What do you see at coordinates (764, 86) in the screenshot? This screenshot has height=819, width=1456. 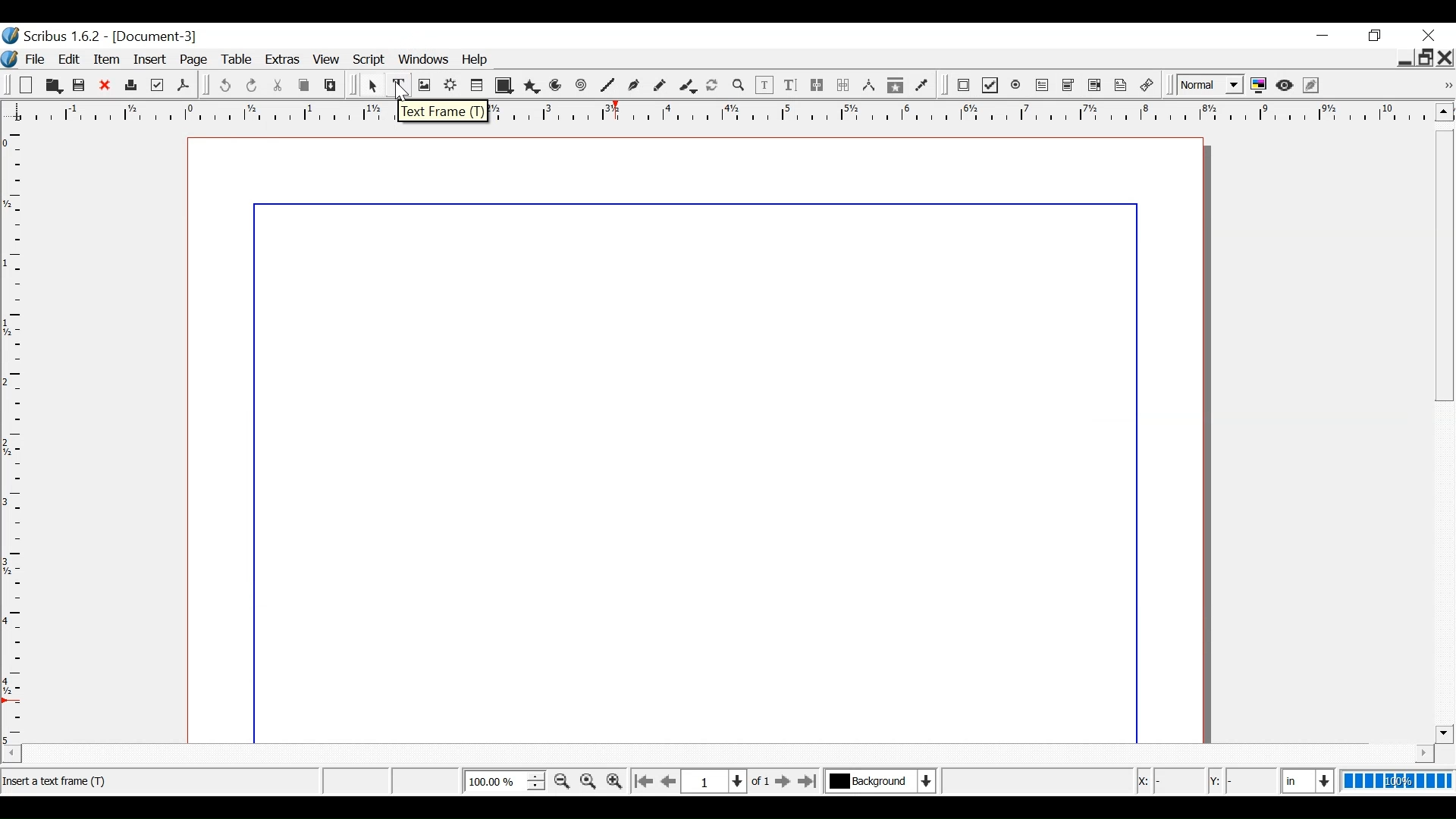 I see `Edit Contents of frame` at bounding box center [764, 86].